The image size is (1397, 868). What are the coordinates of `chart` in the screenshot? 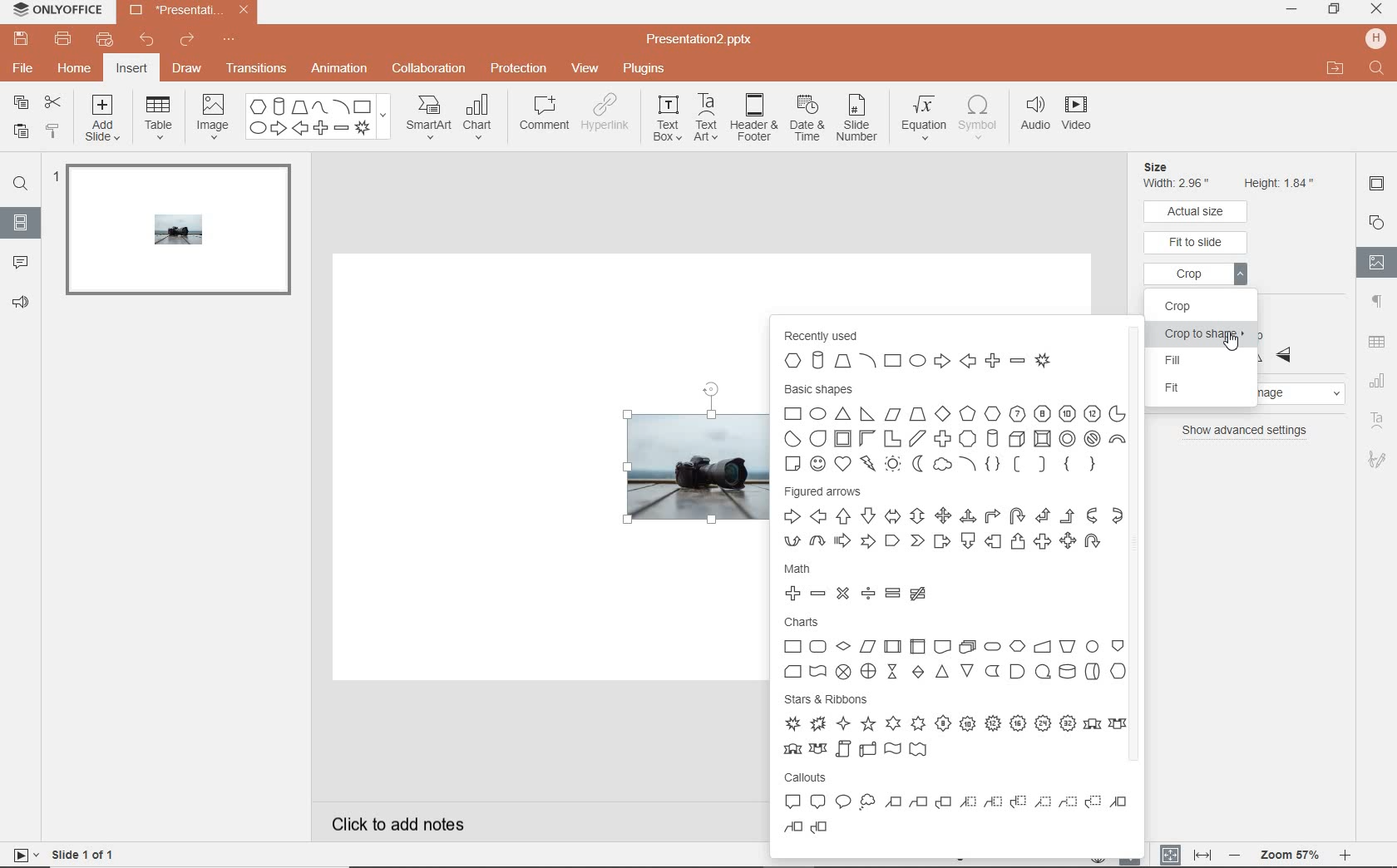 It's located at (1379, 379).